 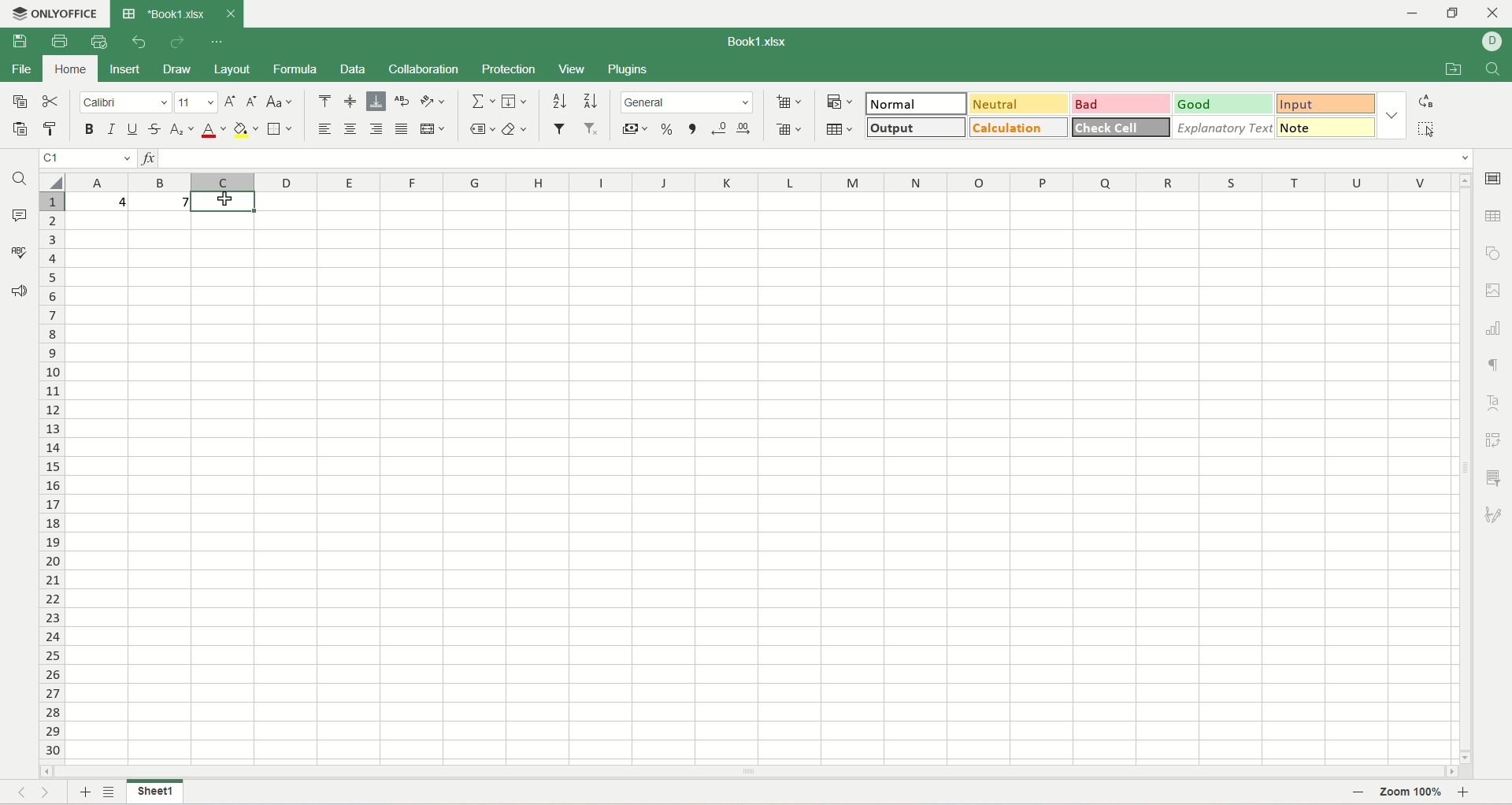 I want to click on currency format, so click(x=634, y=128).